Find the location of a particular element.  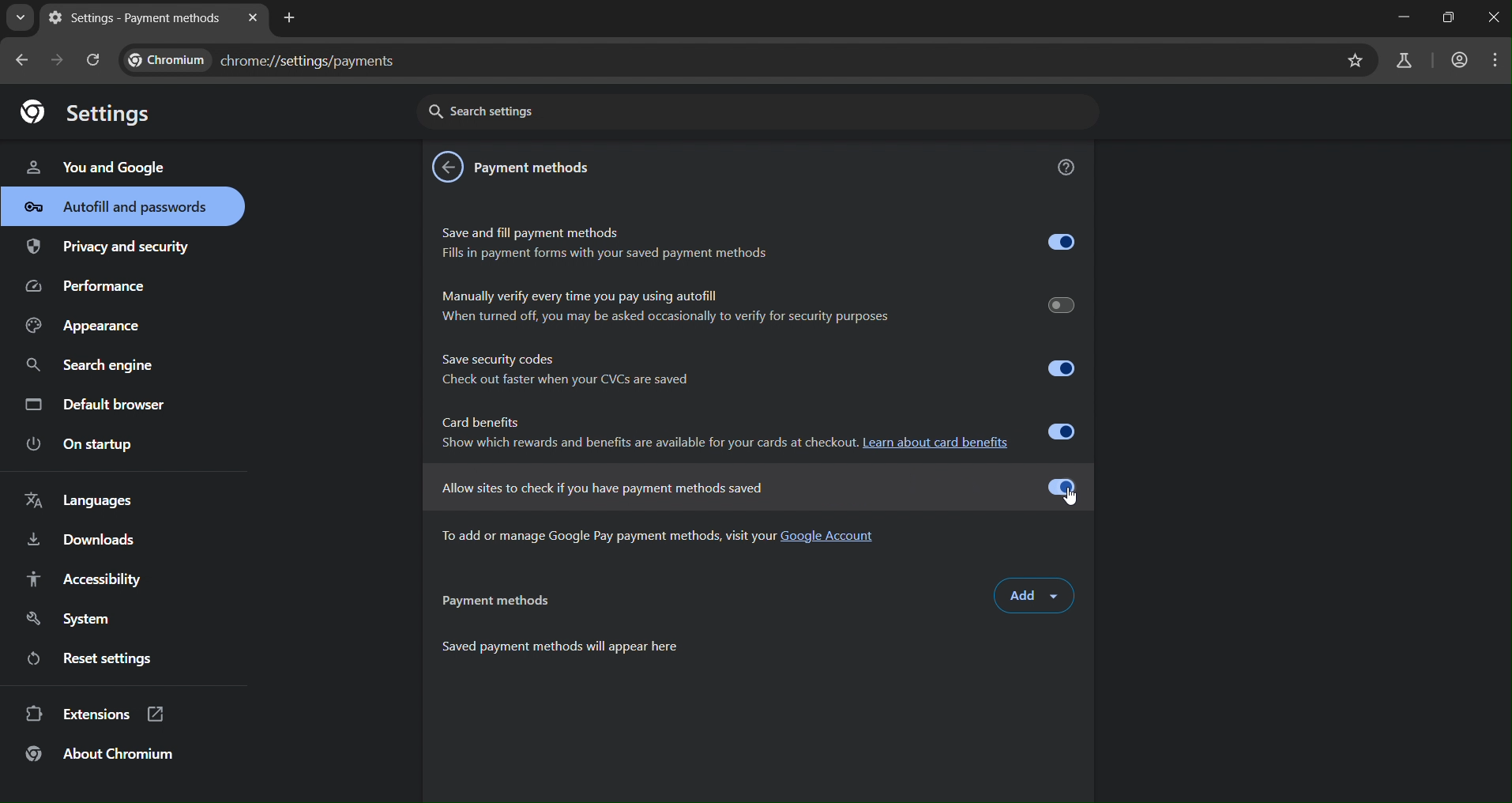

Google Account is located at coordinates (831, 537).